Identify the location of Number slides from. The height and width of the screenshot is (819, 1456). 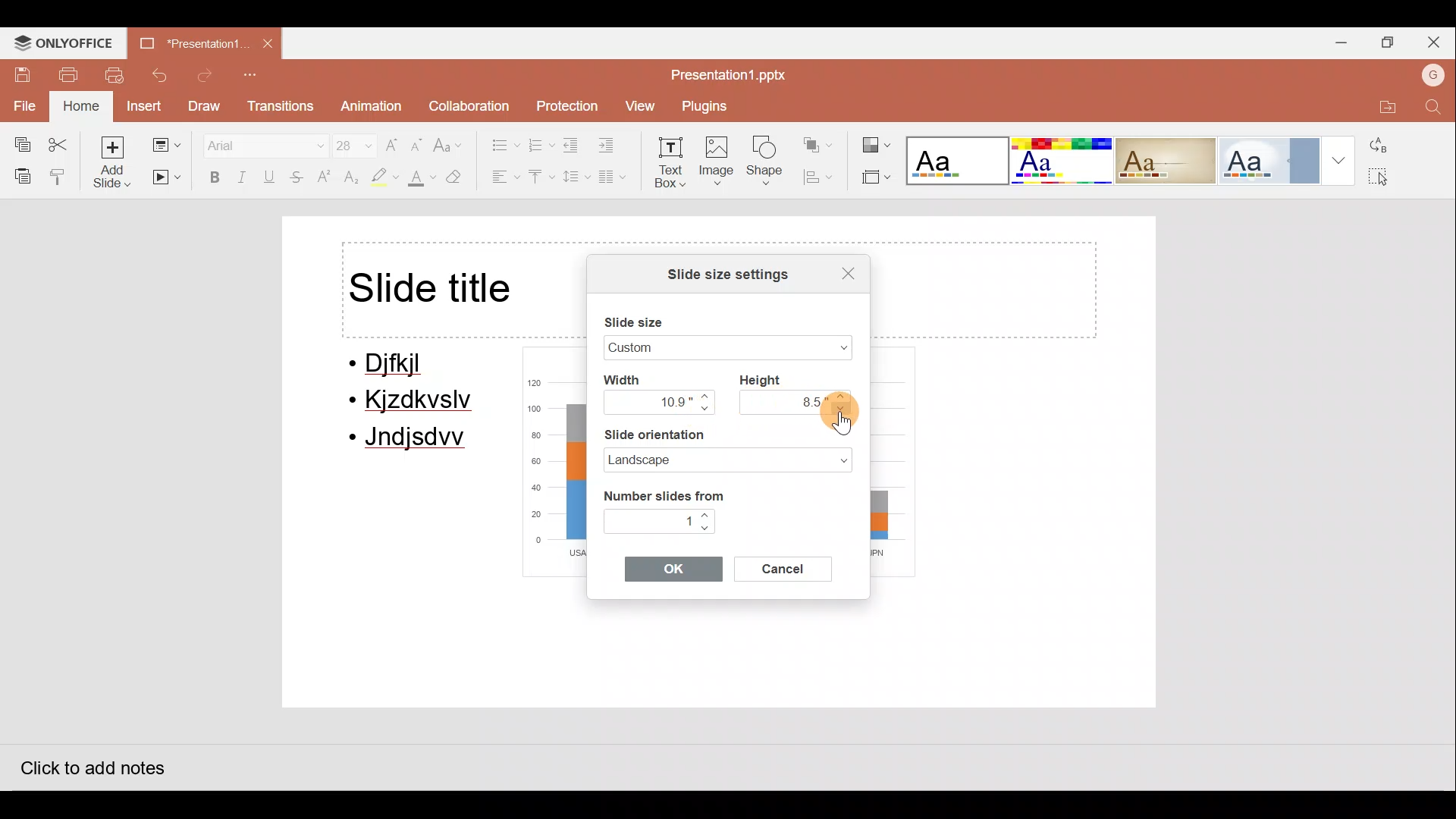
(662, 493).